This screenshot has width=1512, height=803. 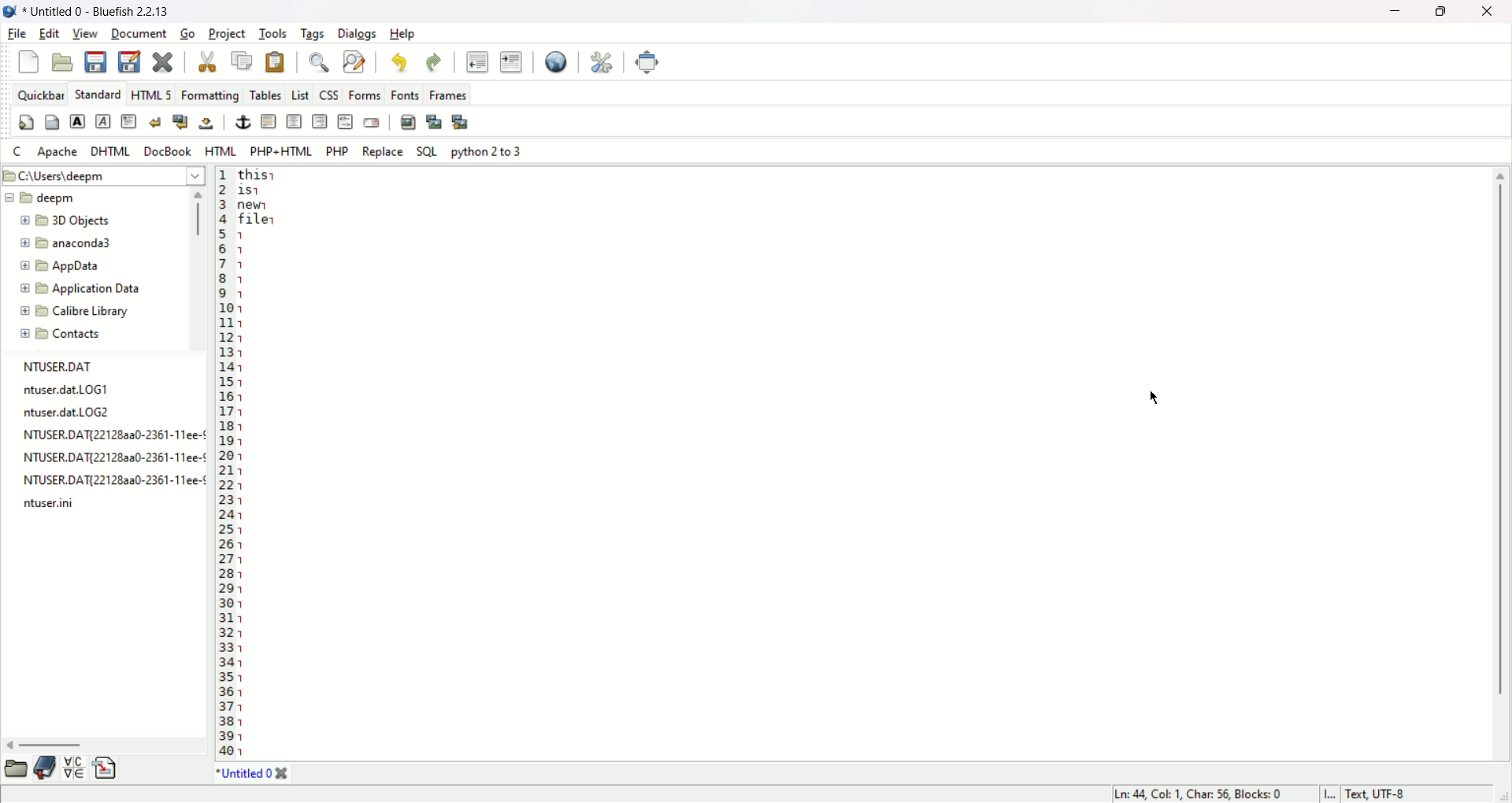 What do you see at coordinates (57, 152) in the screenshot?
I see `Apache` at bounding box center [57, 152].